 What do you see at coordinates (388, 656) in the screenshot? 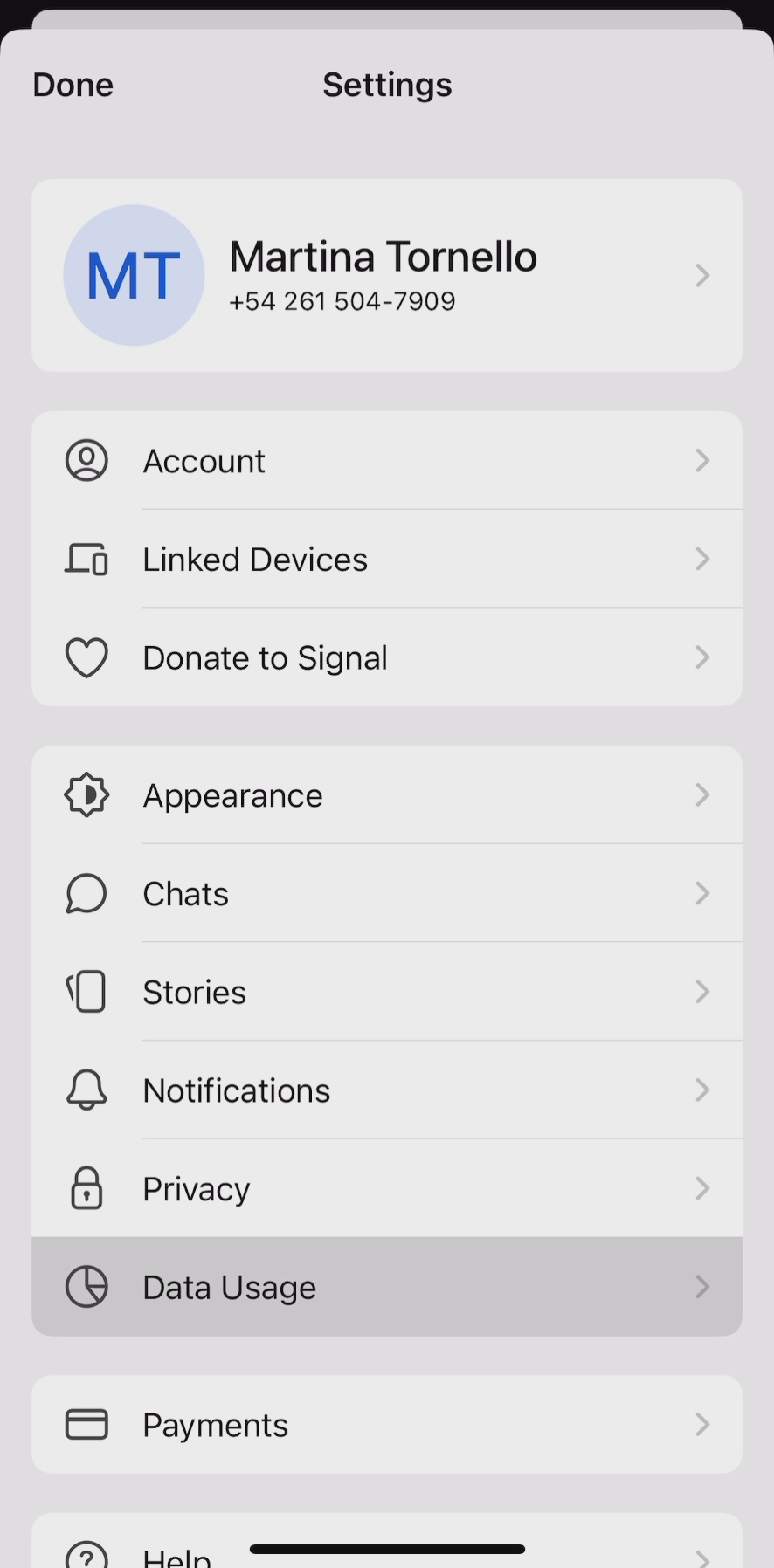
I see `donate to signal` at bounding box center [388, 656].